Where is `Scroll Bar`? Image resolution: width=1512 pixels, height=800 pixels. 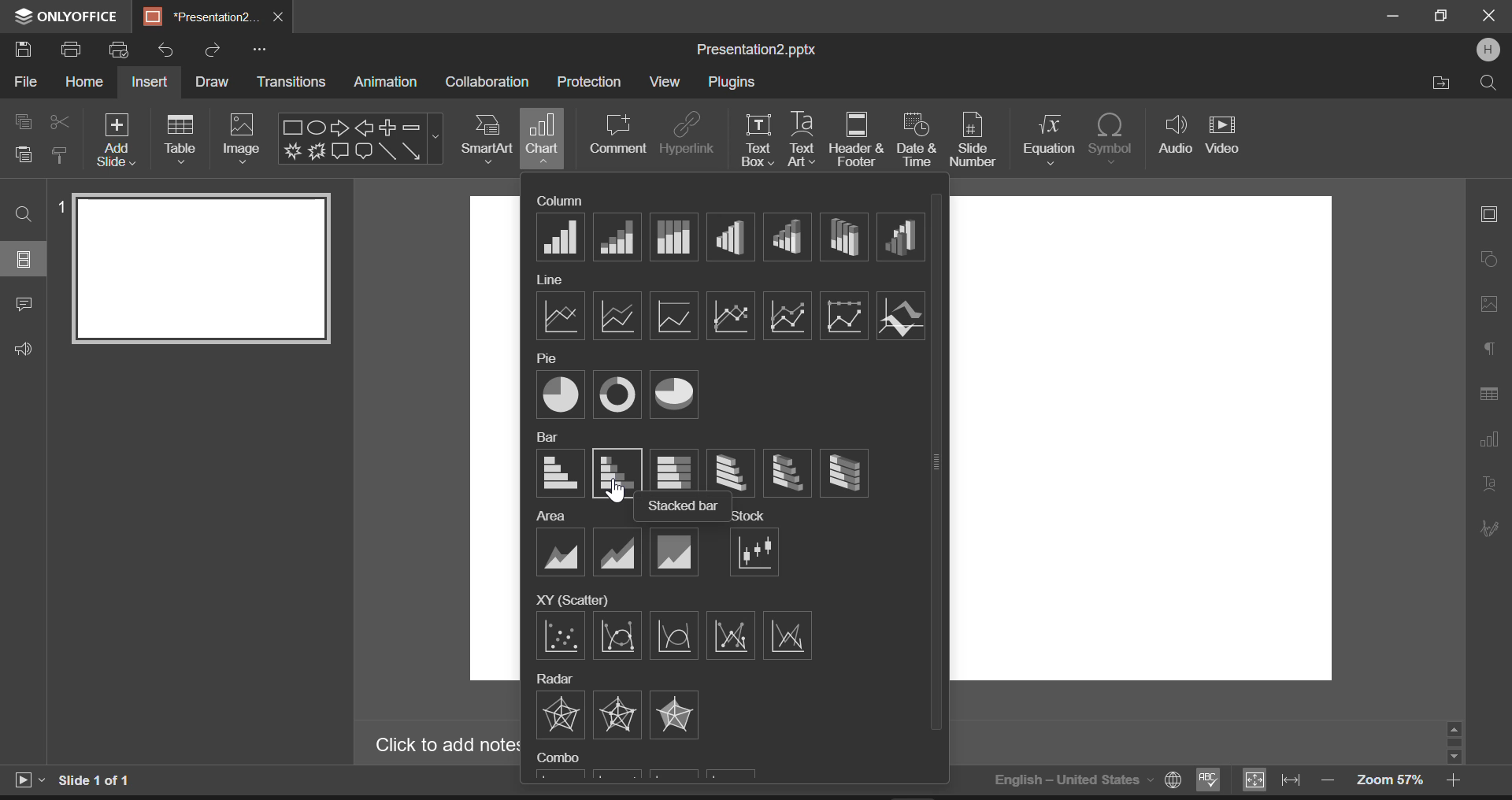 Scroll Bar is located at coordinates (939, 480).